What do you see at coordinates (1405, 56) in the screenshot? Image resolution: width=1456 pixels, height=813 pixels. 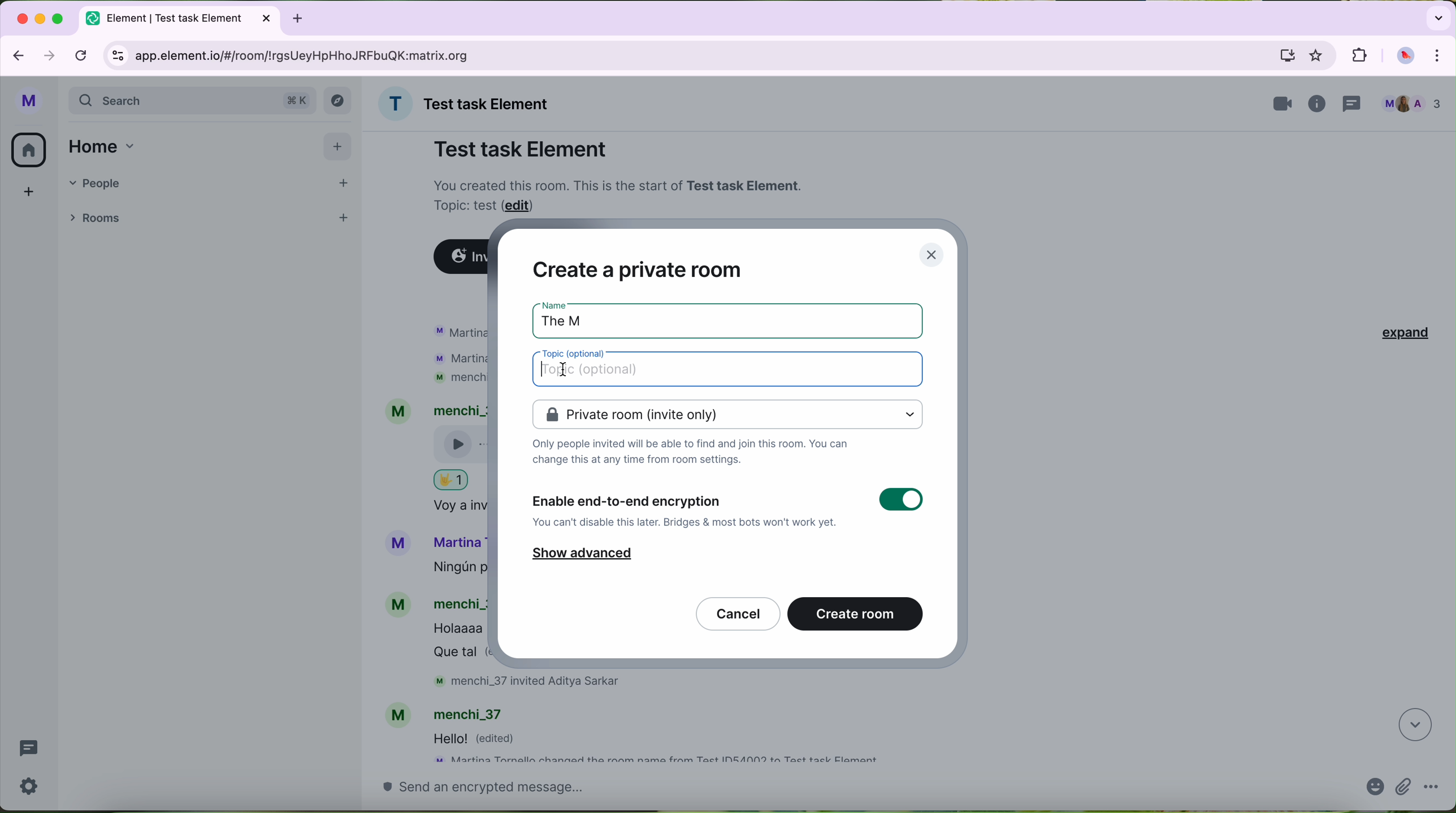 I see `profile picture` at bounding box center [1405, 56].